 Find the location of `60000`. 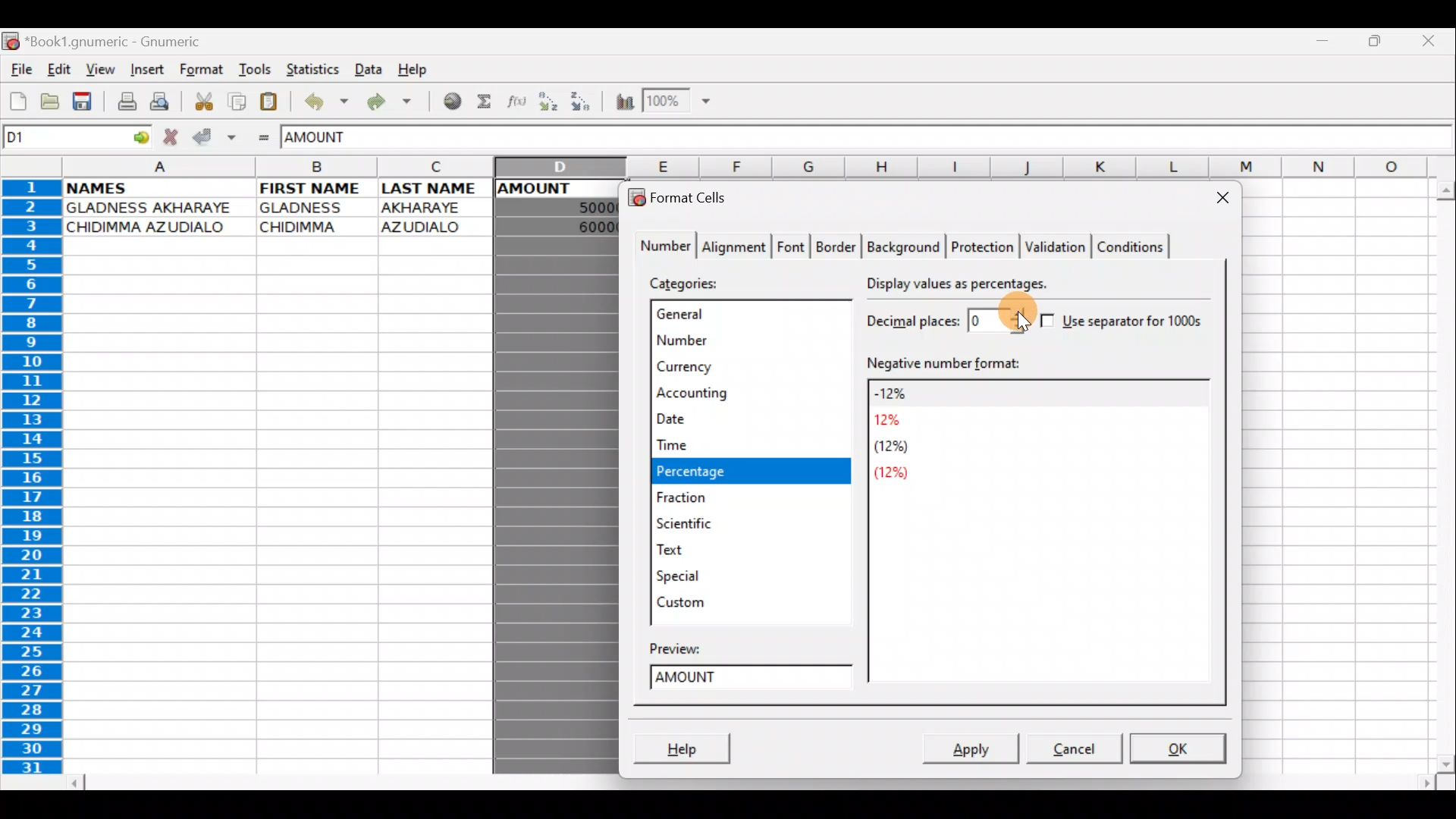

60000 is located at coordinates (585, 227).